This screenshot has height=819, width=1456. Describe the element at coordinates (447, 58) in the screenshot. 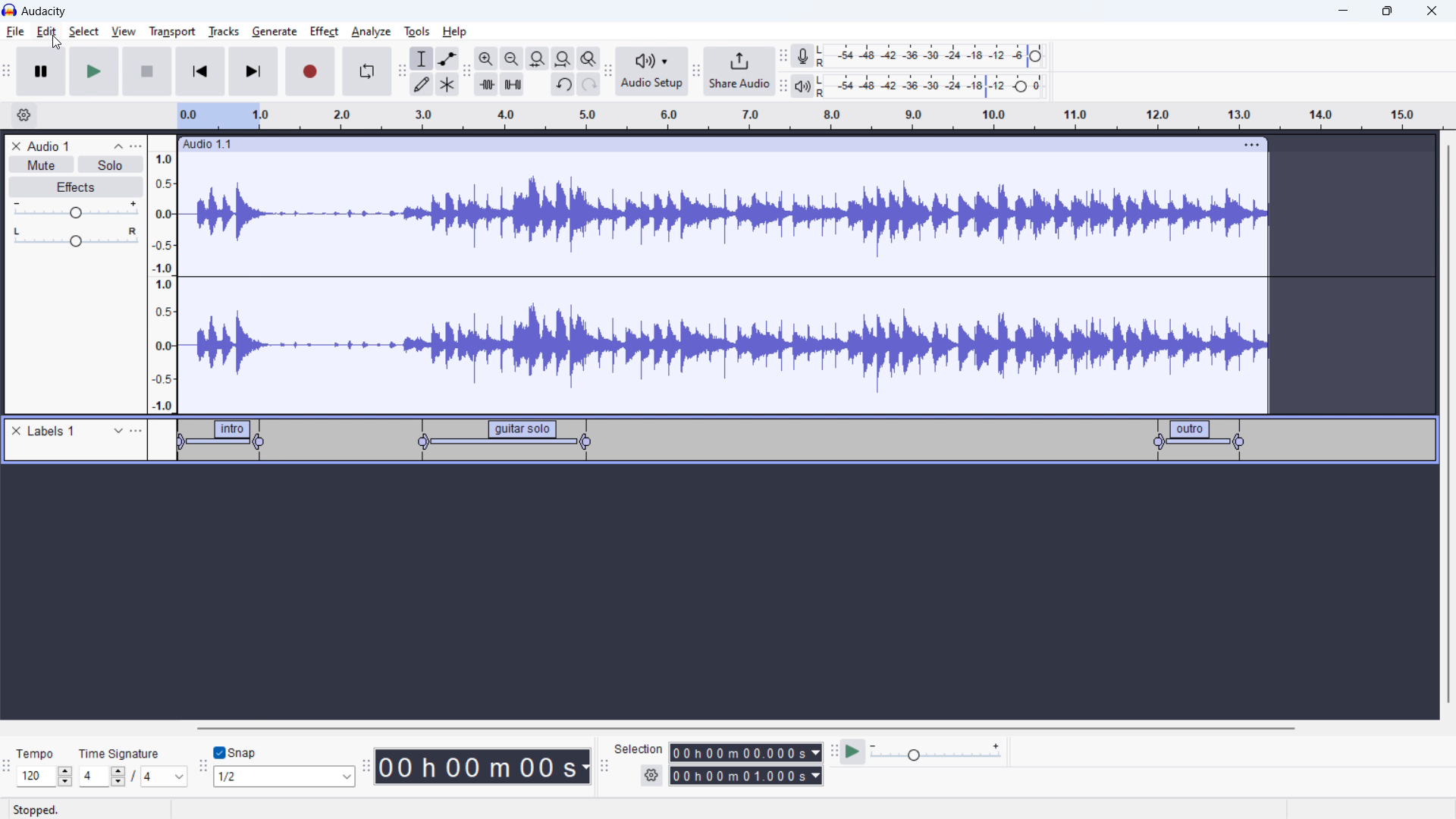

I see `envelop tool` at that location.